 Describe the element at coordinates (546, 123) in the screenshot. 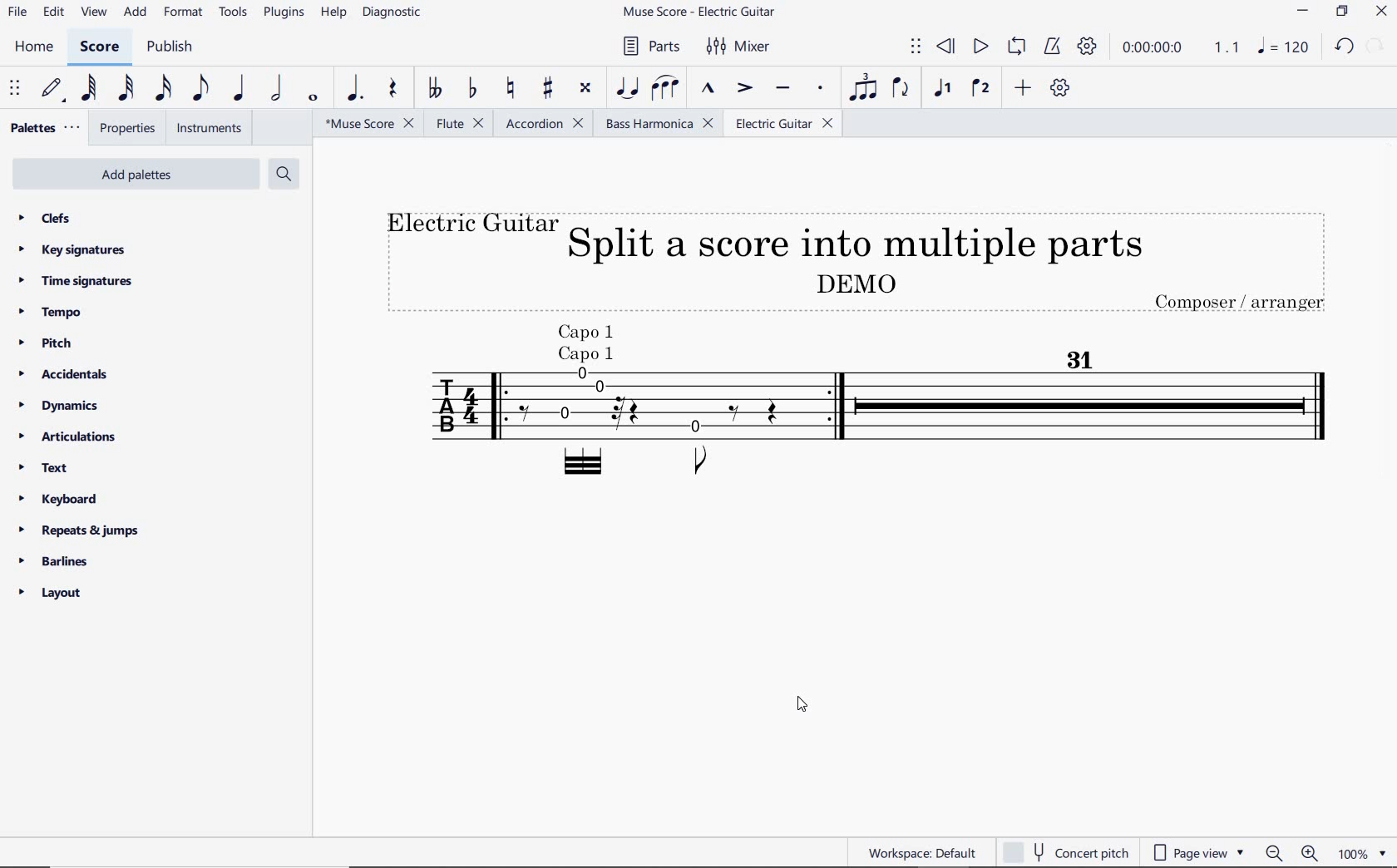

I see `Accordion (score split into multiple parts)` at that location.